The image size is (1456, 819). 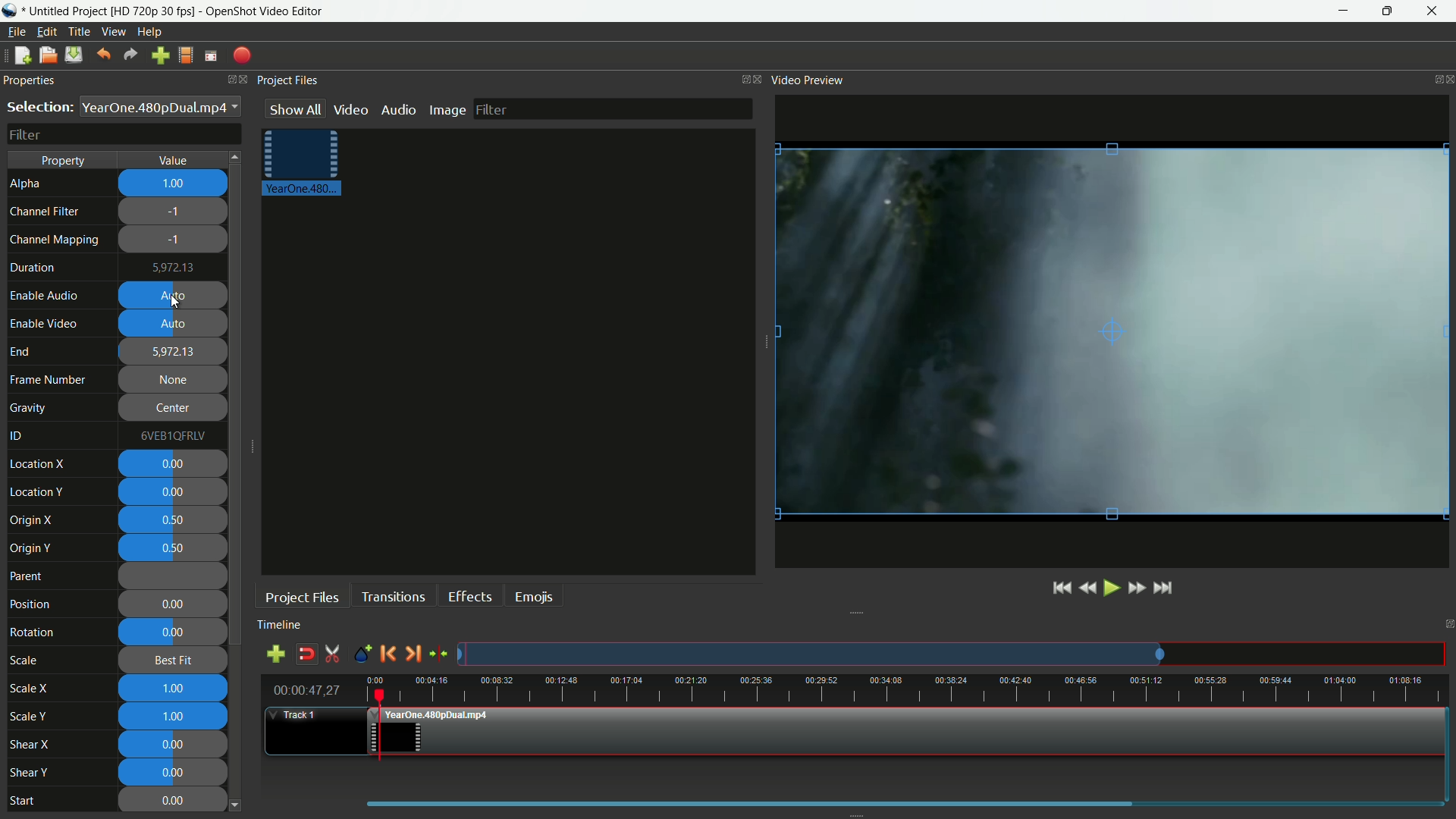 I want to click on 0.00, so click(x=171, y=465).